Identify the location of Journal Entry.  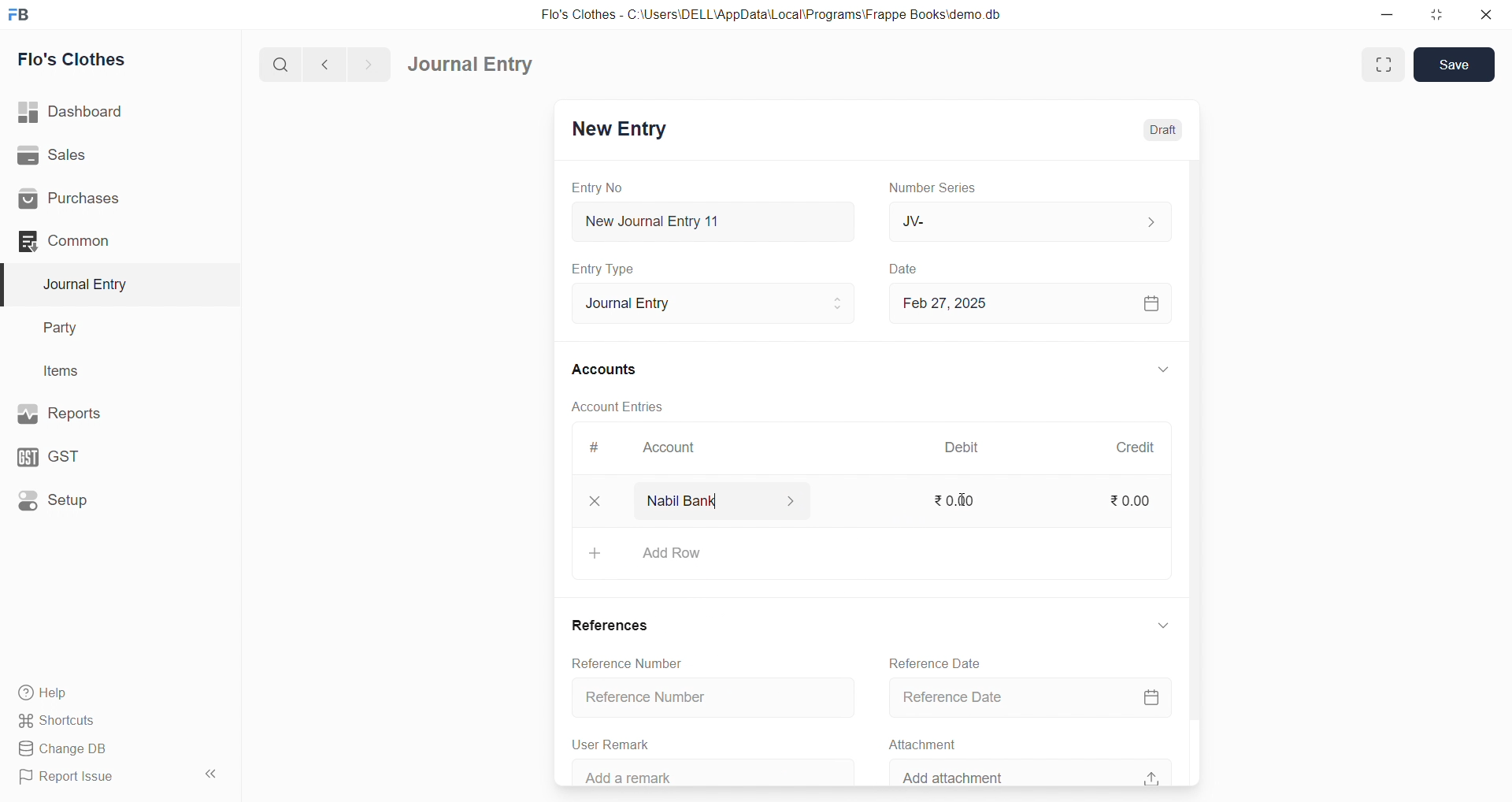
(471, 64).